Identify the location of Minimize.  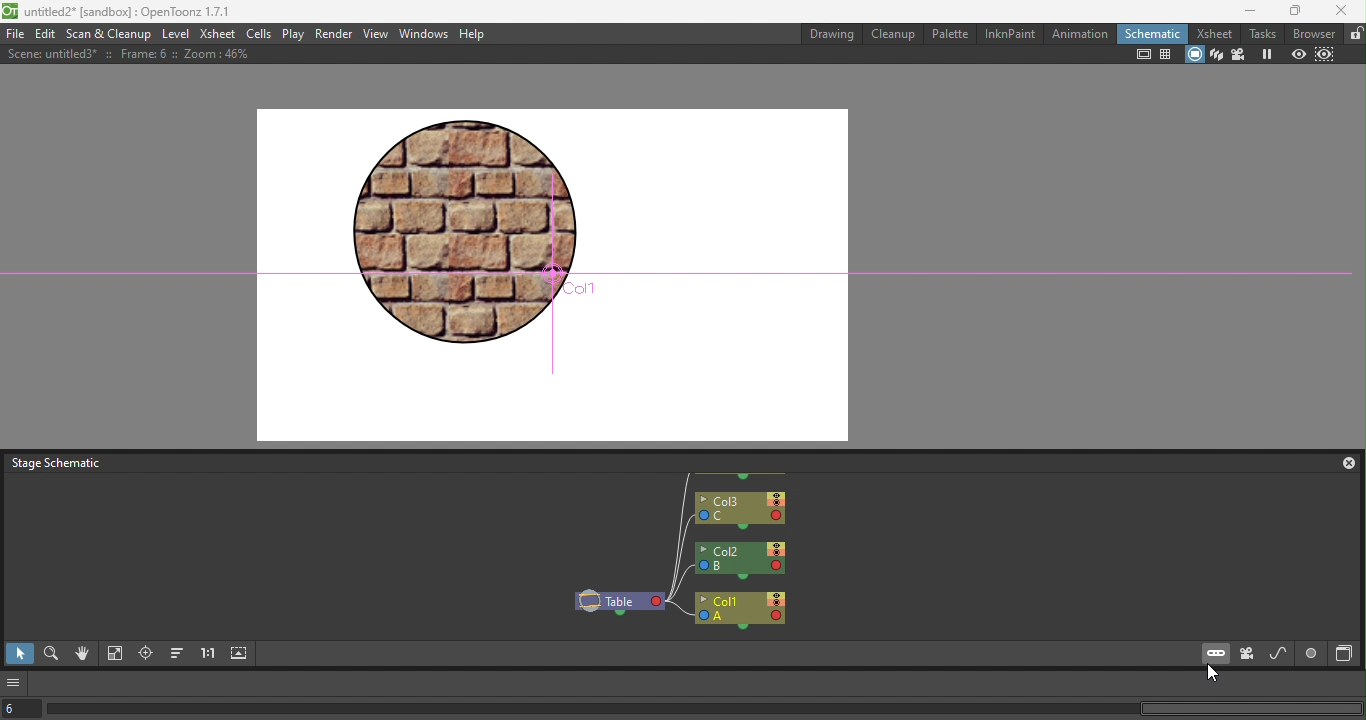
(1242, 11).